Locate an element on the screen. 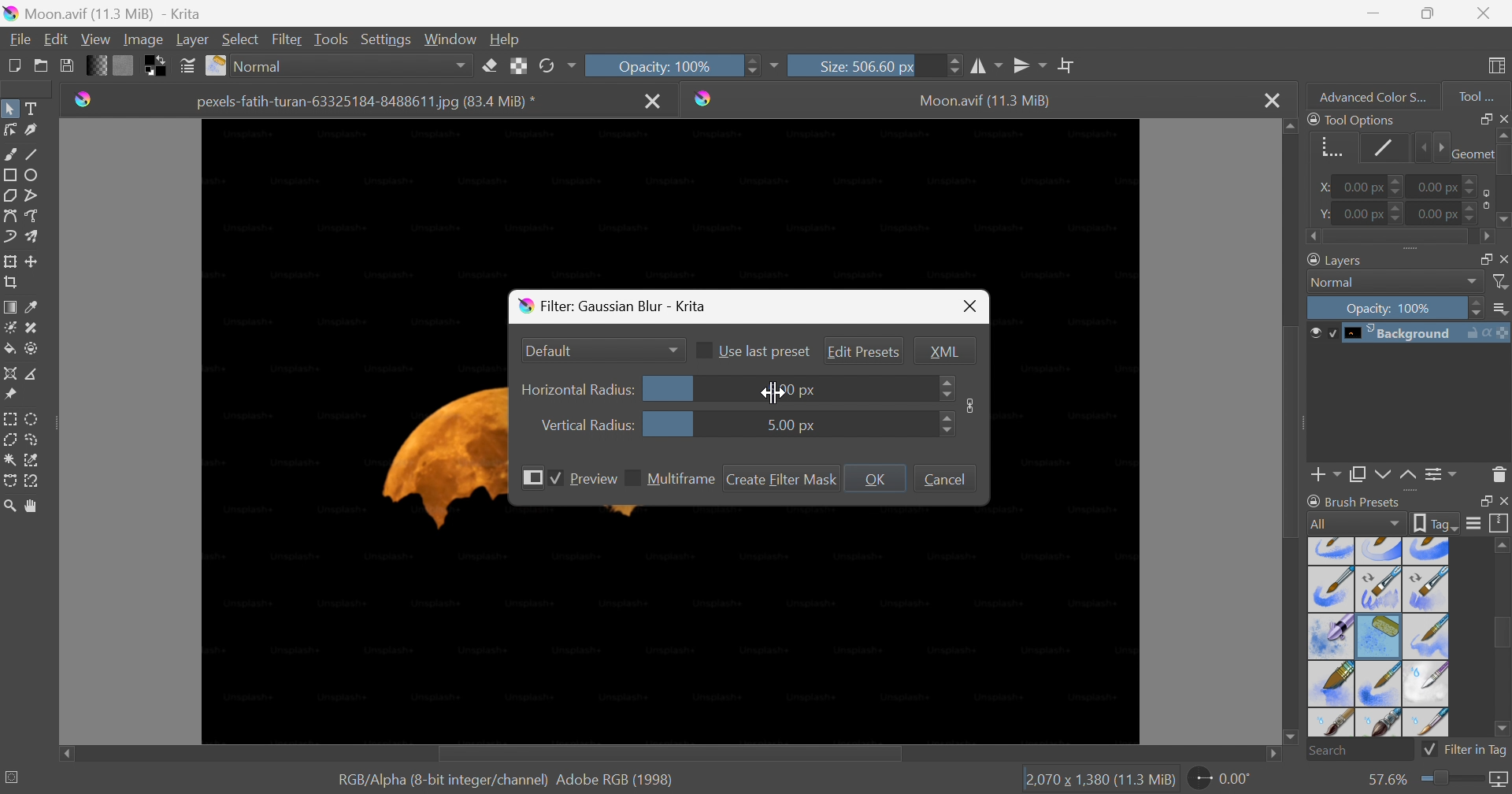 The width and height of the screenshot is (1512, 794). Edit shapes tool is located at coordinates (9, 129).